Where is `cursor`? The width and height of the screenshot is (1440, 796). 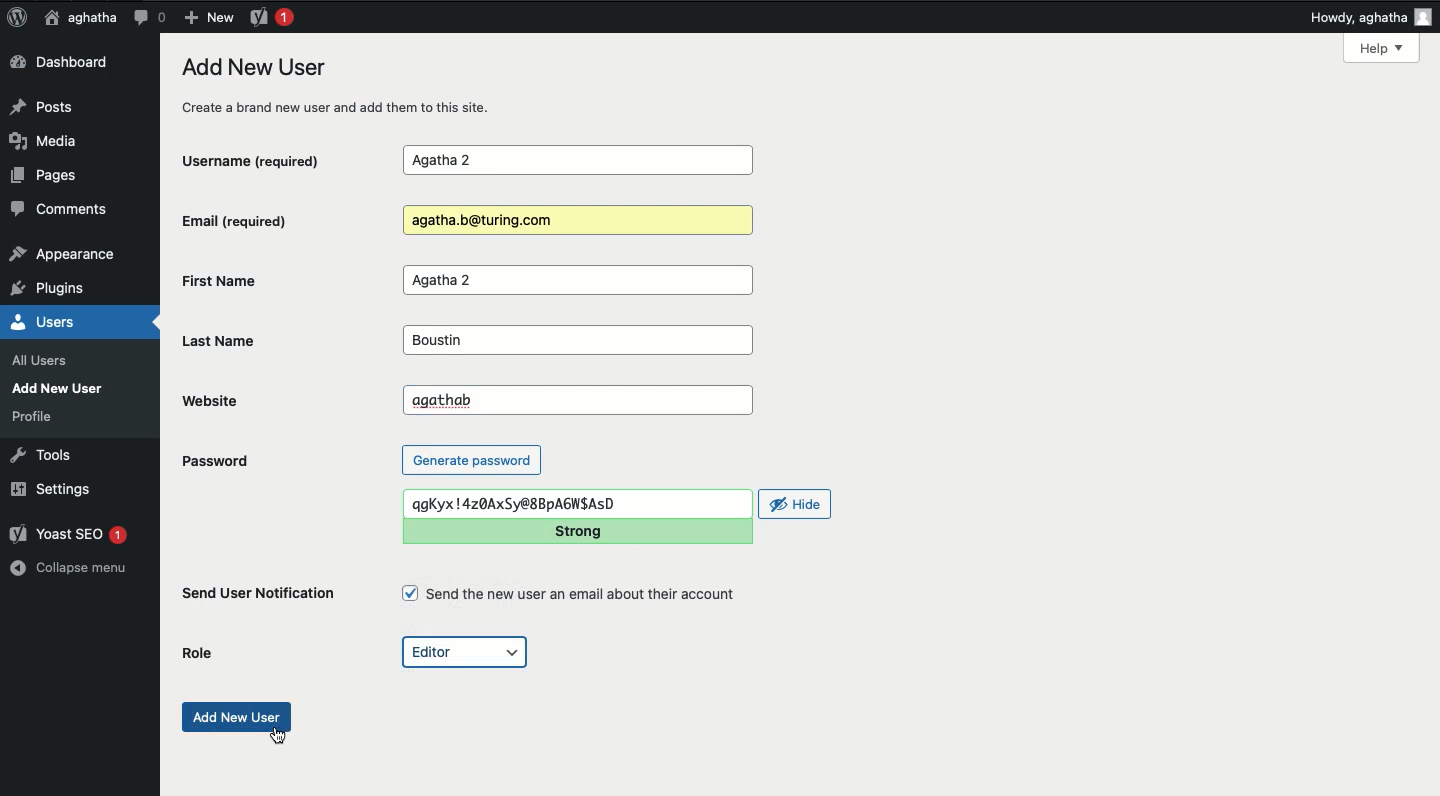
cursor is located at coordinates (278, 739).